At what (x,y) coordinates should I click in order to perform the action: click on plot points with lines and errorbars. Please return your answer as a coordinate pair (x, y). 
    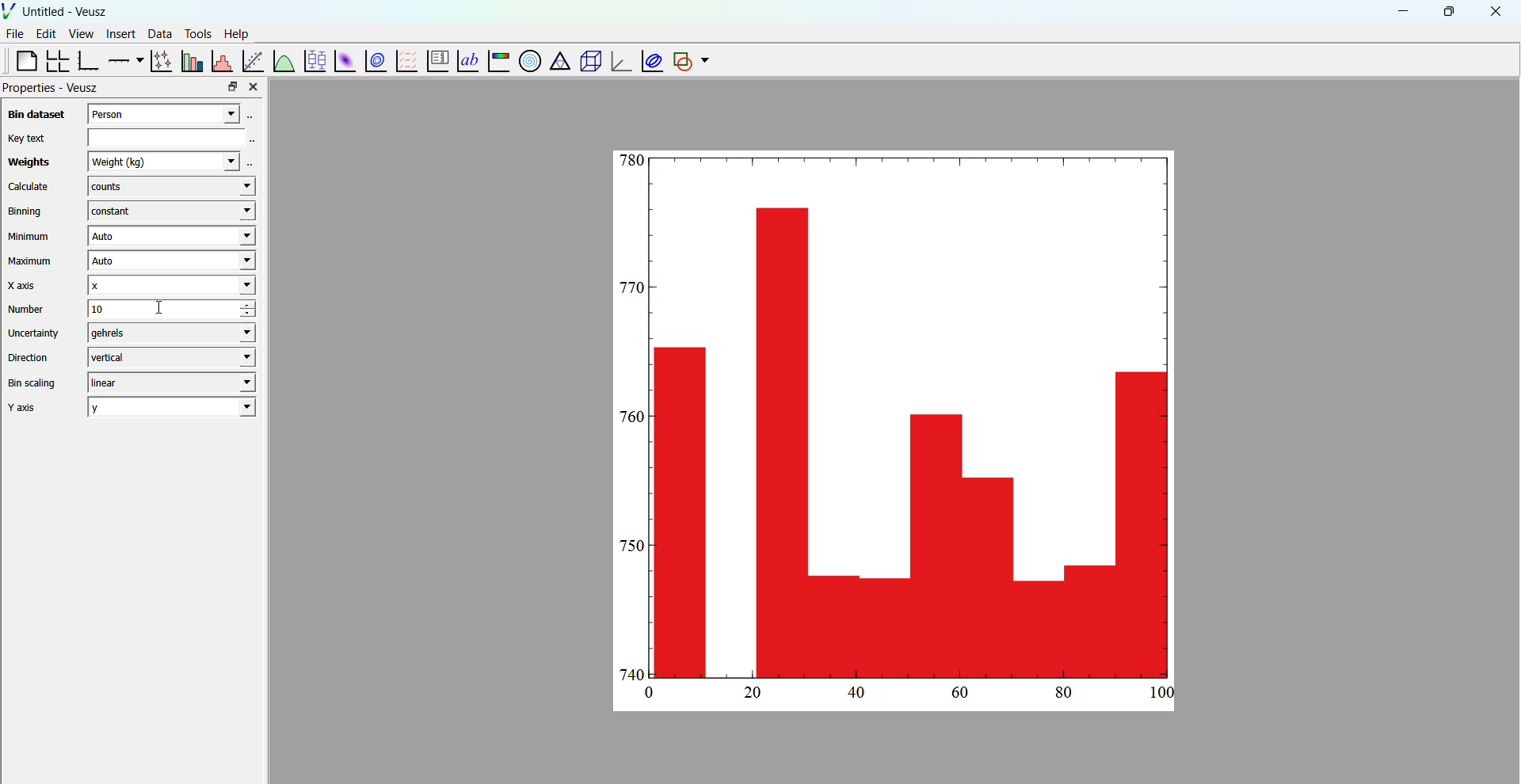
    Looking at the image, I should click on (159, 61).